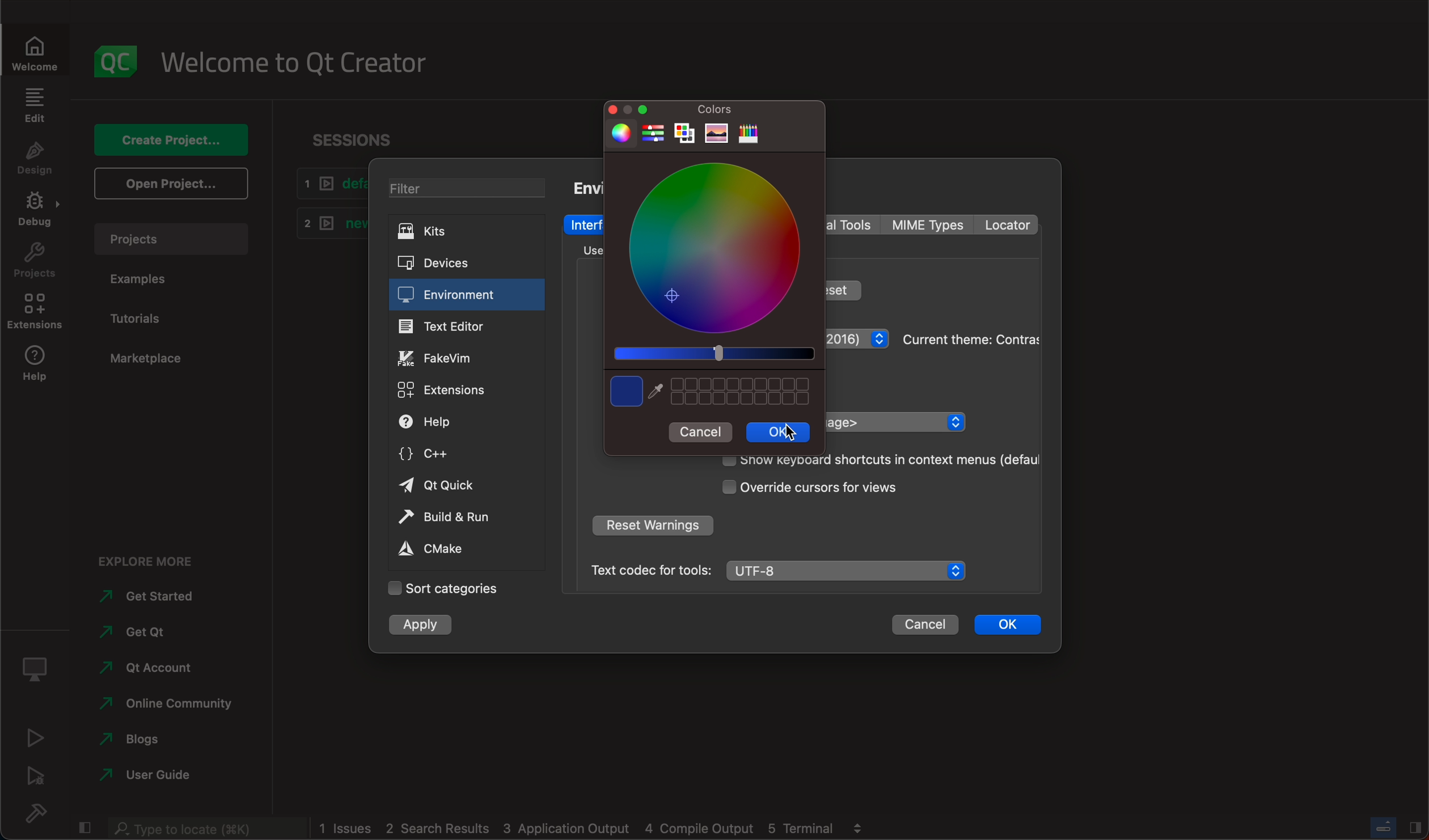 This screenshot has width=1429, height=840. Describe the element at coordinates (657, 392) in the screenshot. I see `dropper` at that location.